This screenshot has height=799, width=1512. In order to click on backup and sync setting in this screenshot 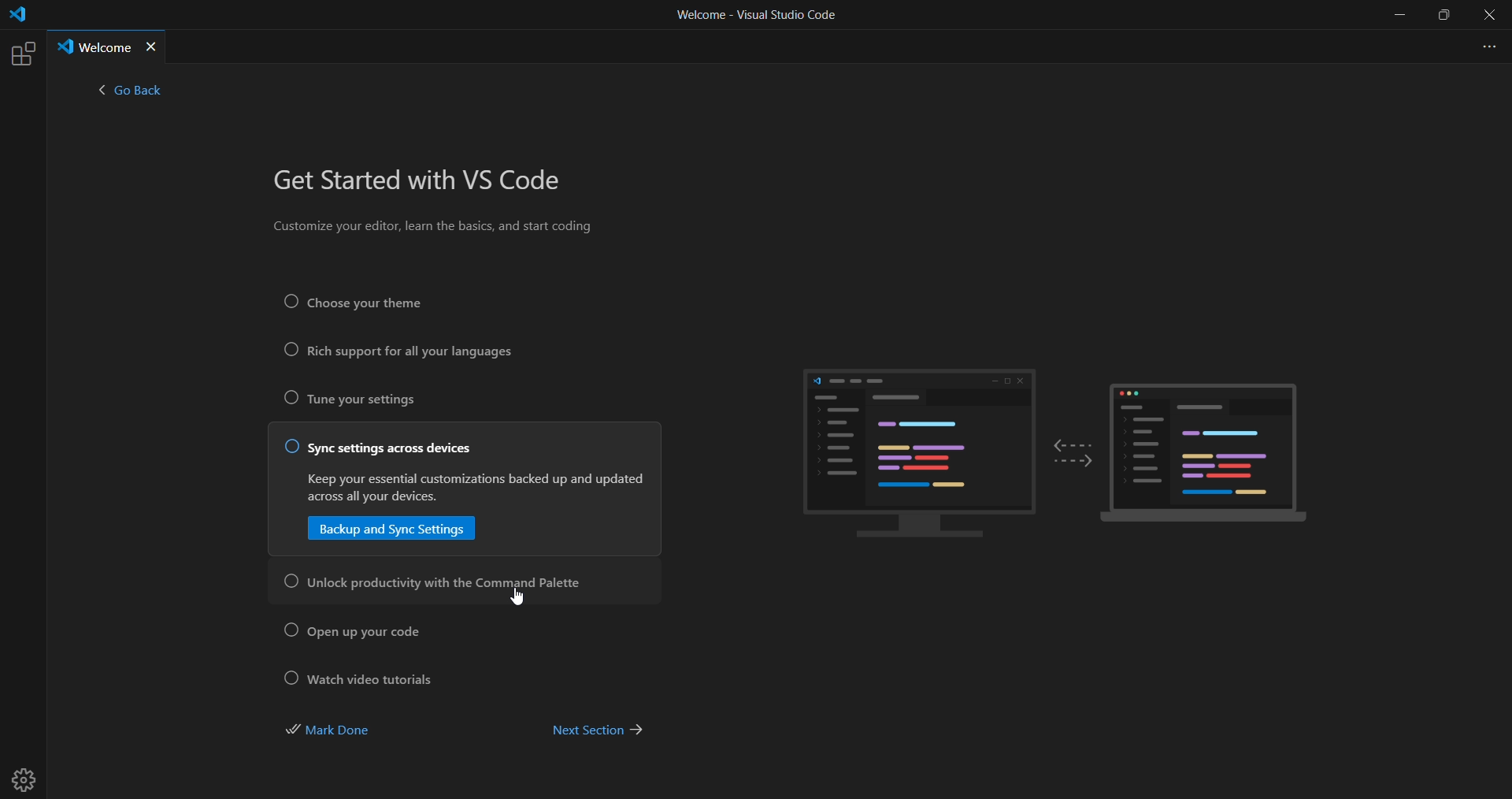, I will do `click(405, 529)`.